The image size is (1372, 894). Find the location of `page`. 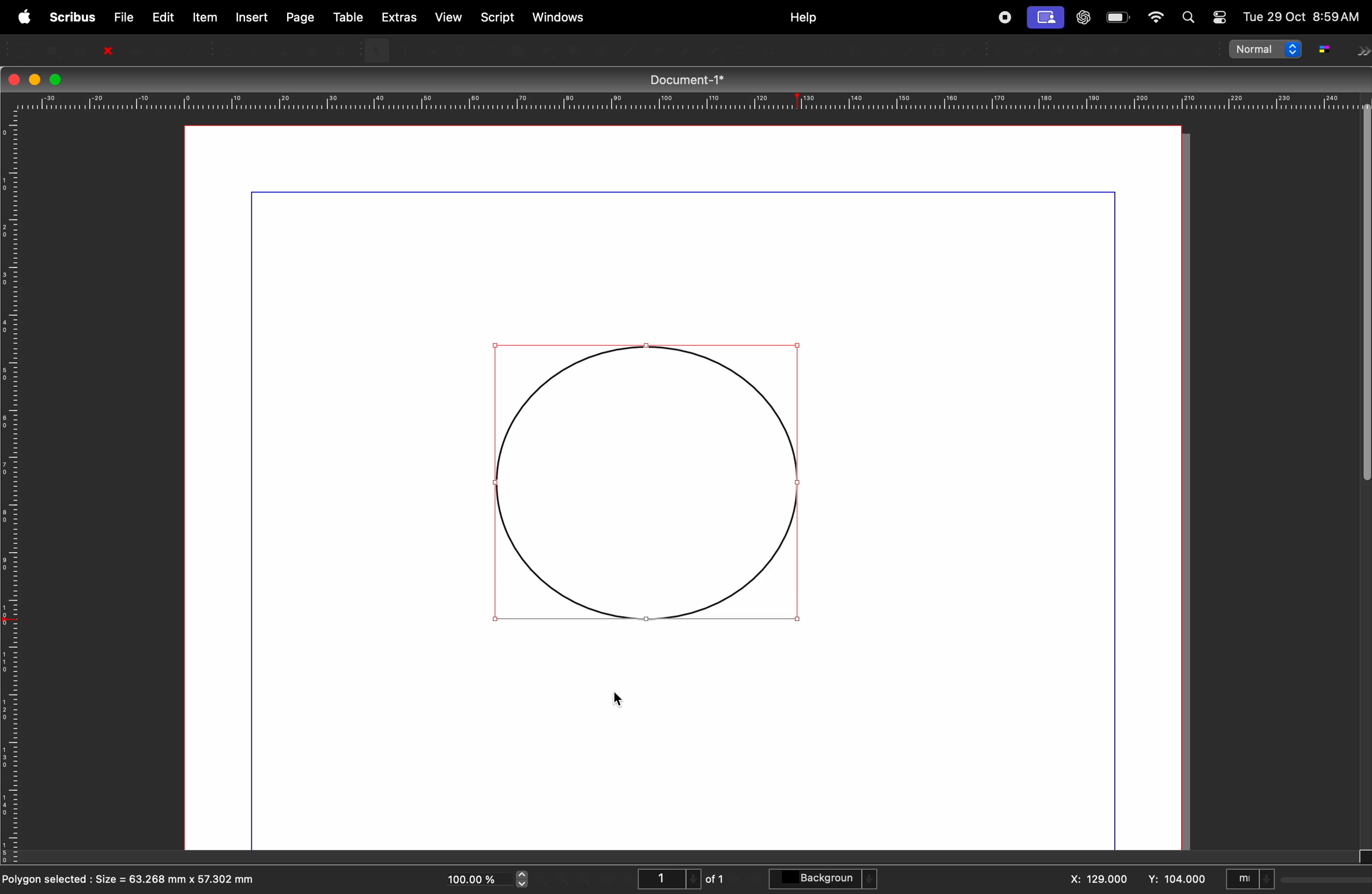

page is located at coordinates (300, 16).